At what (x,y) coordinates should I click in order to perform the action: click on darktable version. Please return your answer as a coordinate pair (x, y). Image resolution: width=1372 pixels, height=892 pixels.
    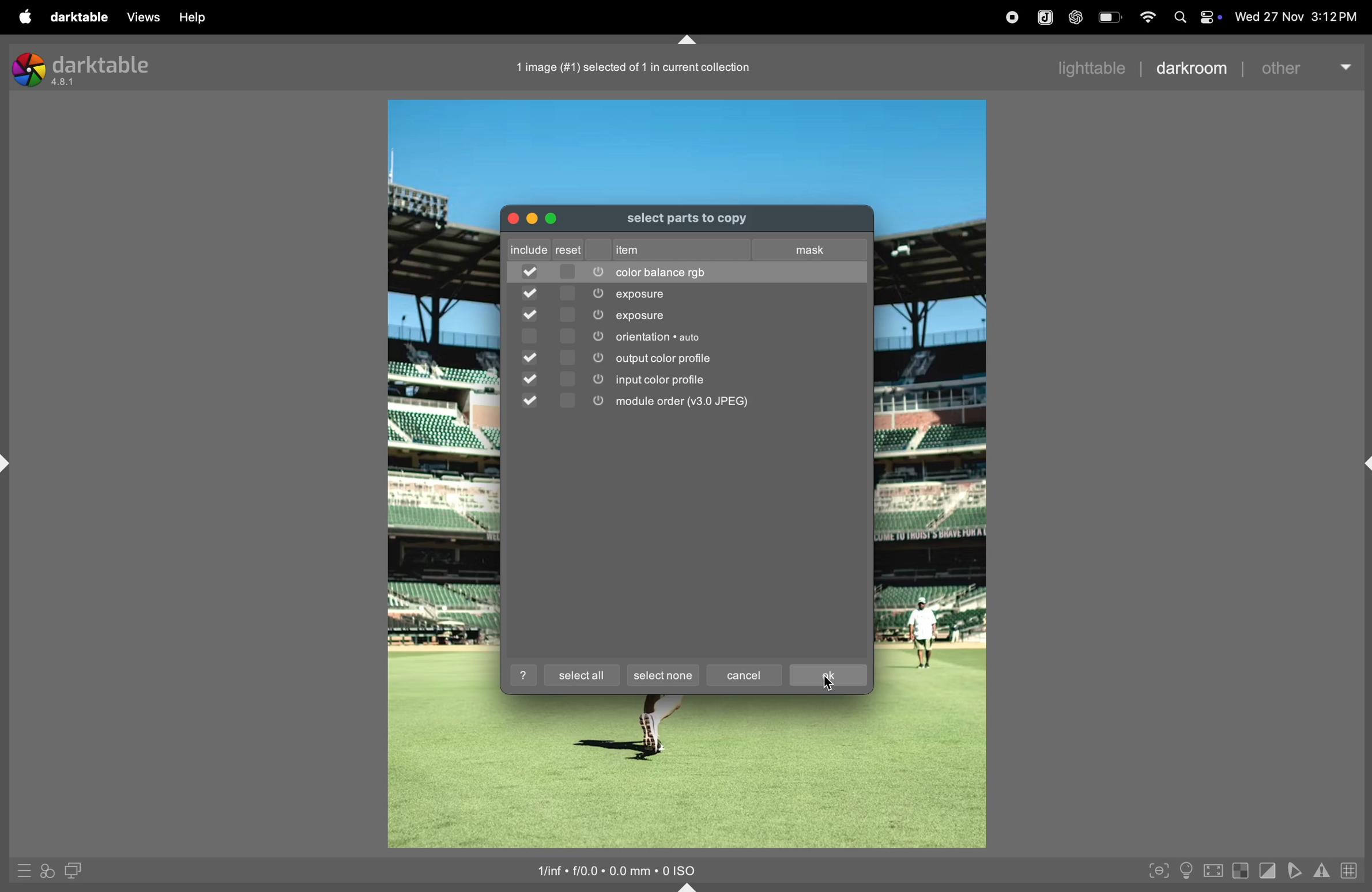
    Looking at the image, I should click on (92, 69).